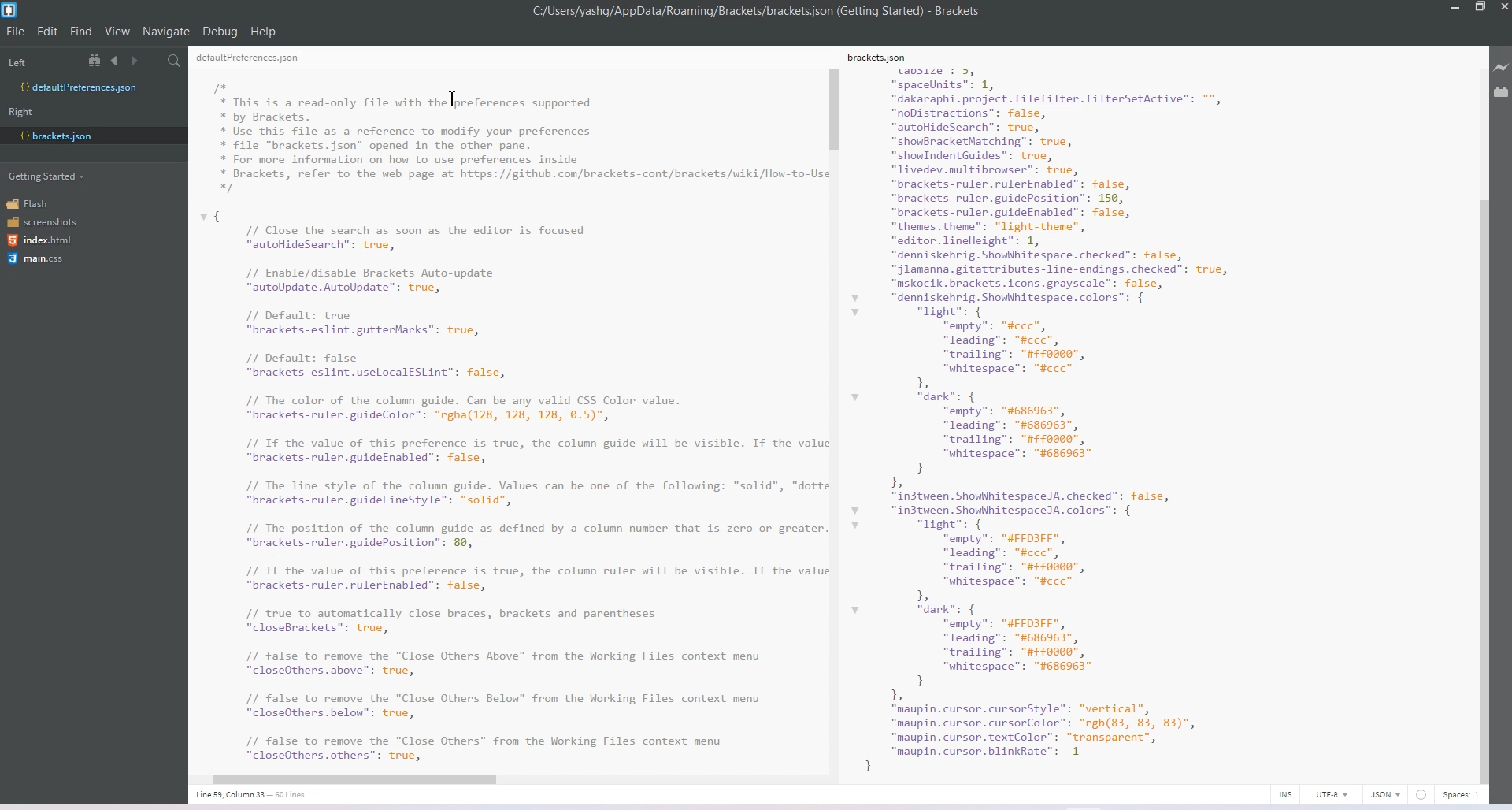 Image resolution: width=1512 pixels, height=810 pixels. What do you see at coordinates (1285, 794) in the screenshot?
I see `INS` at bounding box center [1285, 794].